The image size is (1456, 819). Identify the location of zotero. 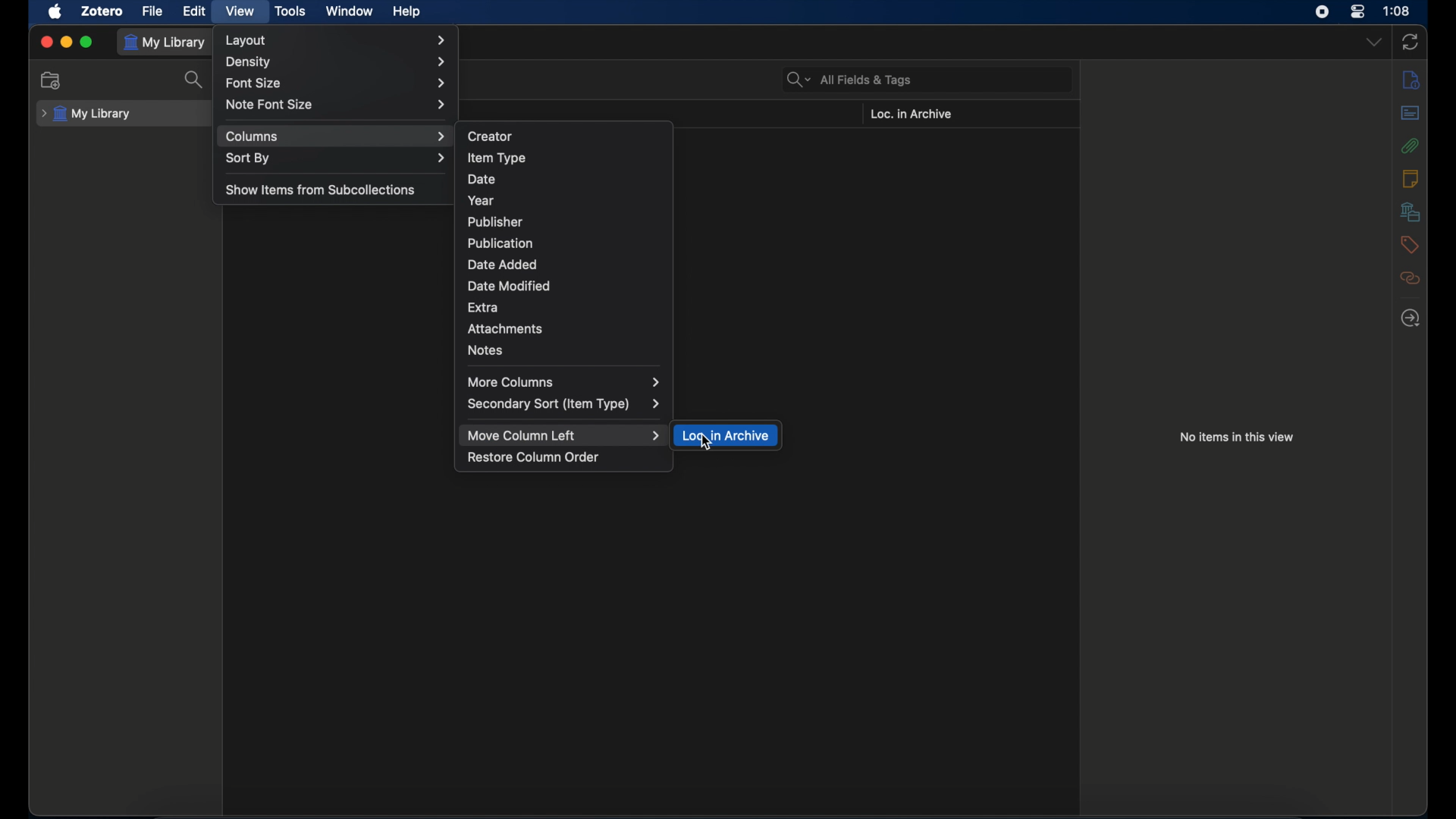
(103, 11).